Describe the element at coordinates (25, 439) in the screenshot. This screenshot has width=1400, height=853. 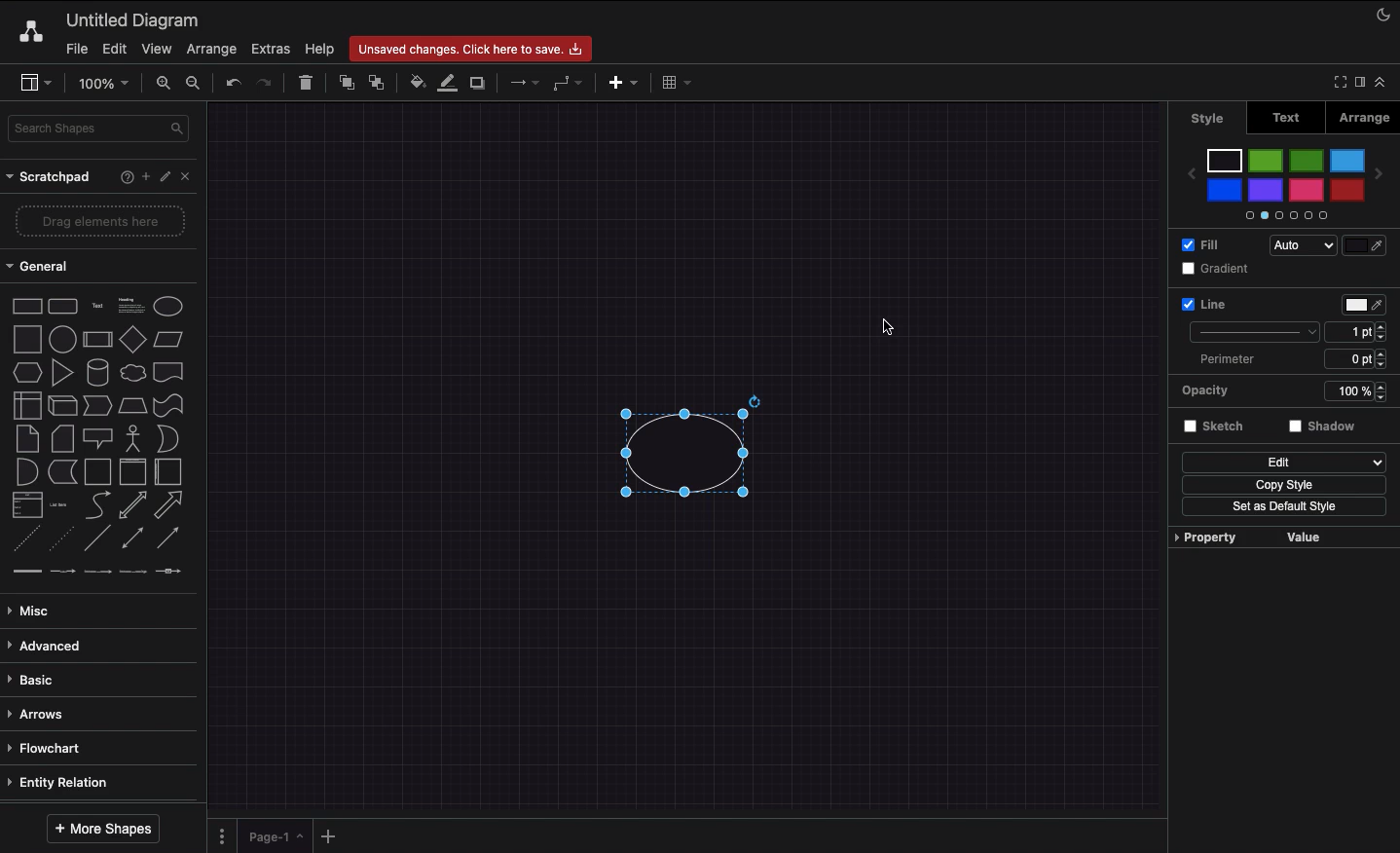
I see `Note` at that location.